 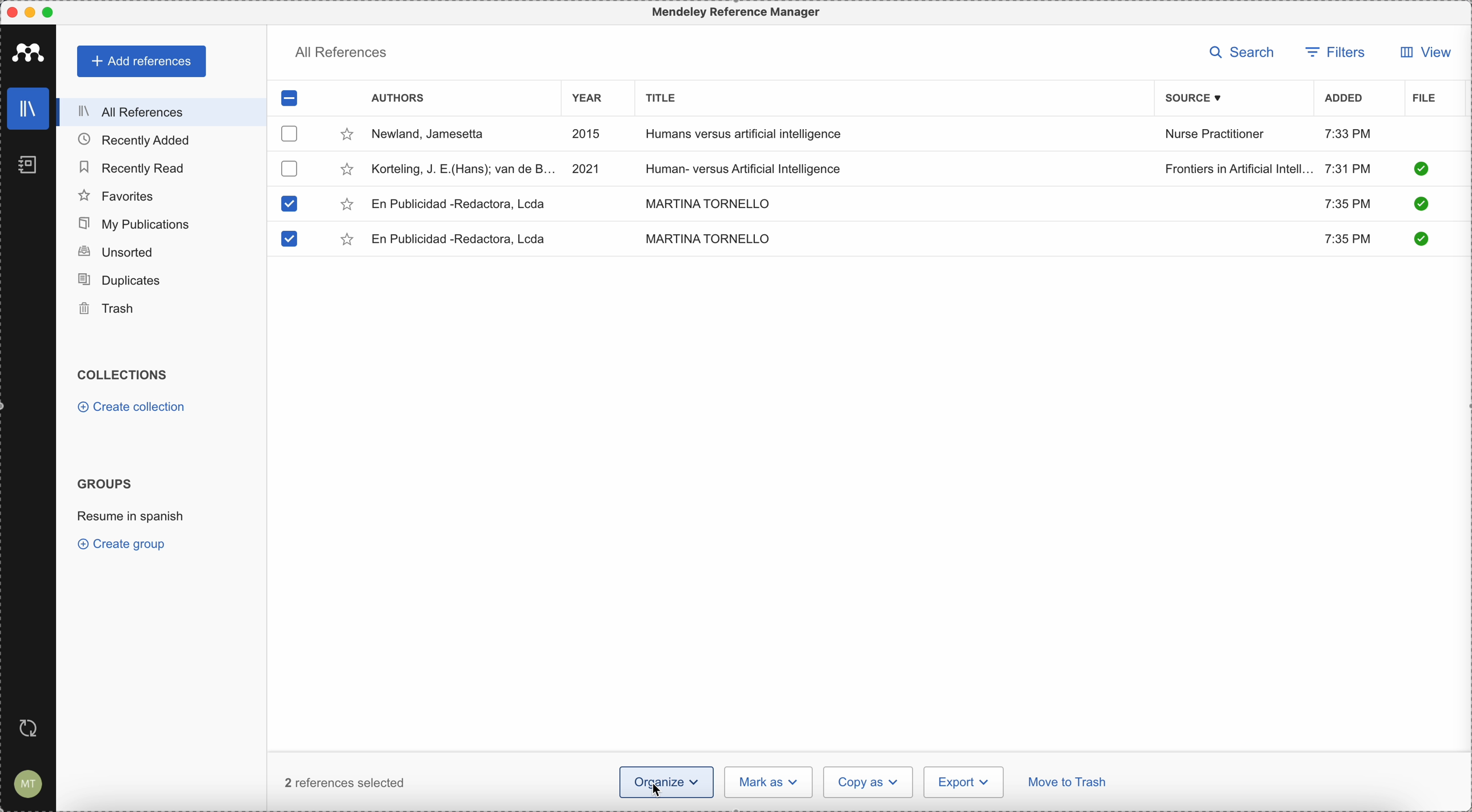 What do you see at coordinates (1421, 169) in the screenshot?
I see `check it` at bounding box center [1421, 169].